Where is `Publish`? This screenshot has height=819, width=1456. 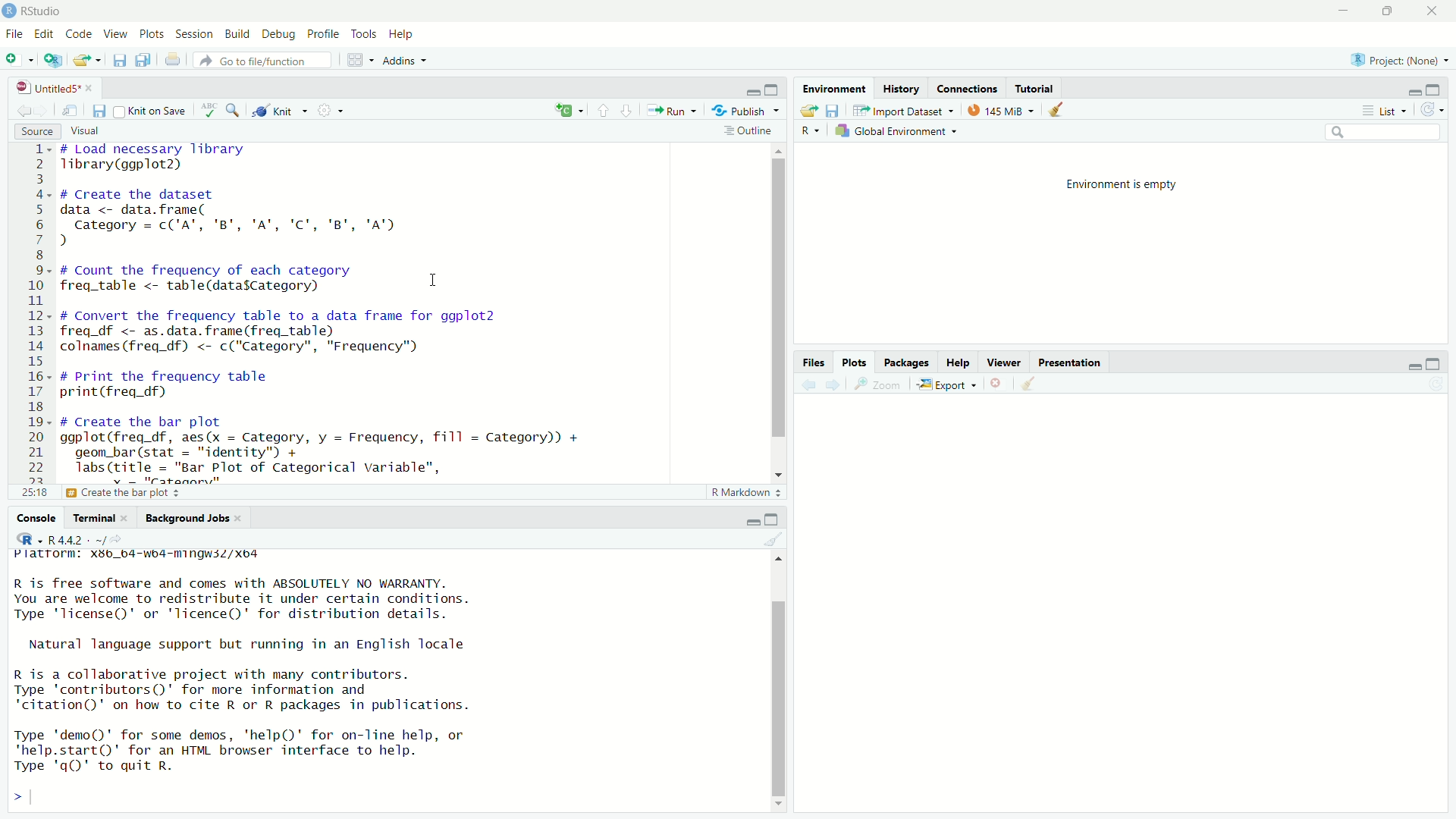 Publish is located at coordinates (747, 110).